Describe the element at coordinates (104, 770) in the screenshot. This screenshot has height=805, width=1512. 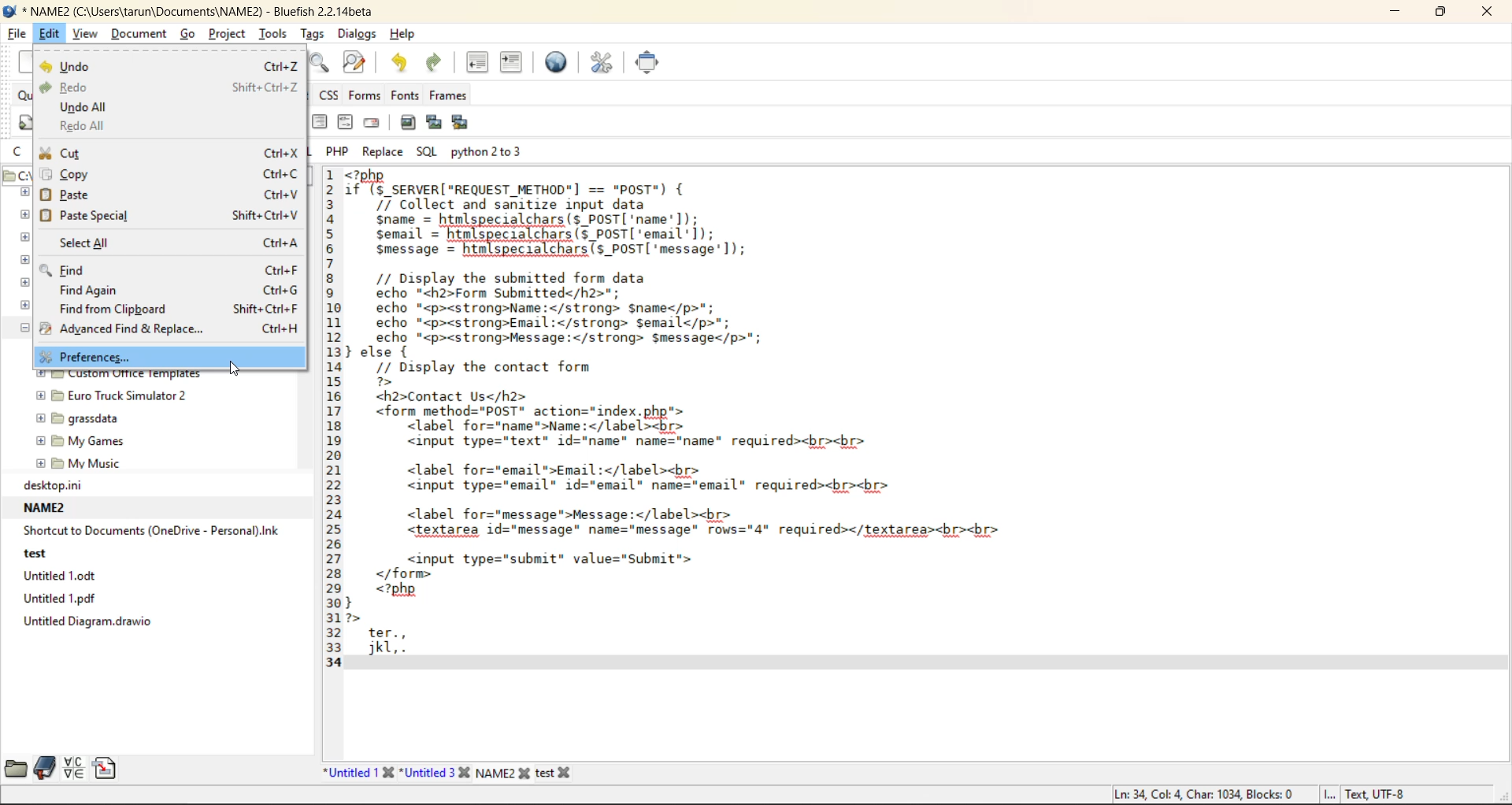
I see `snippets` at that location.